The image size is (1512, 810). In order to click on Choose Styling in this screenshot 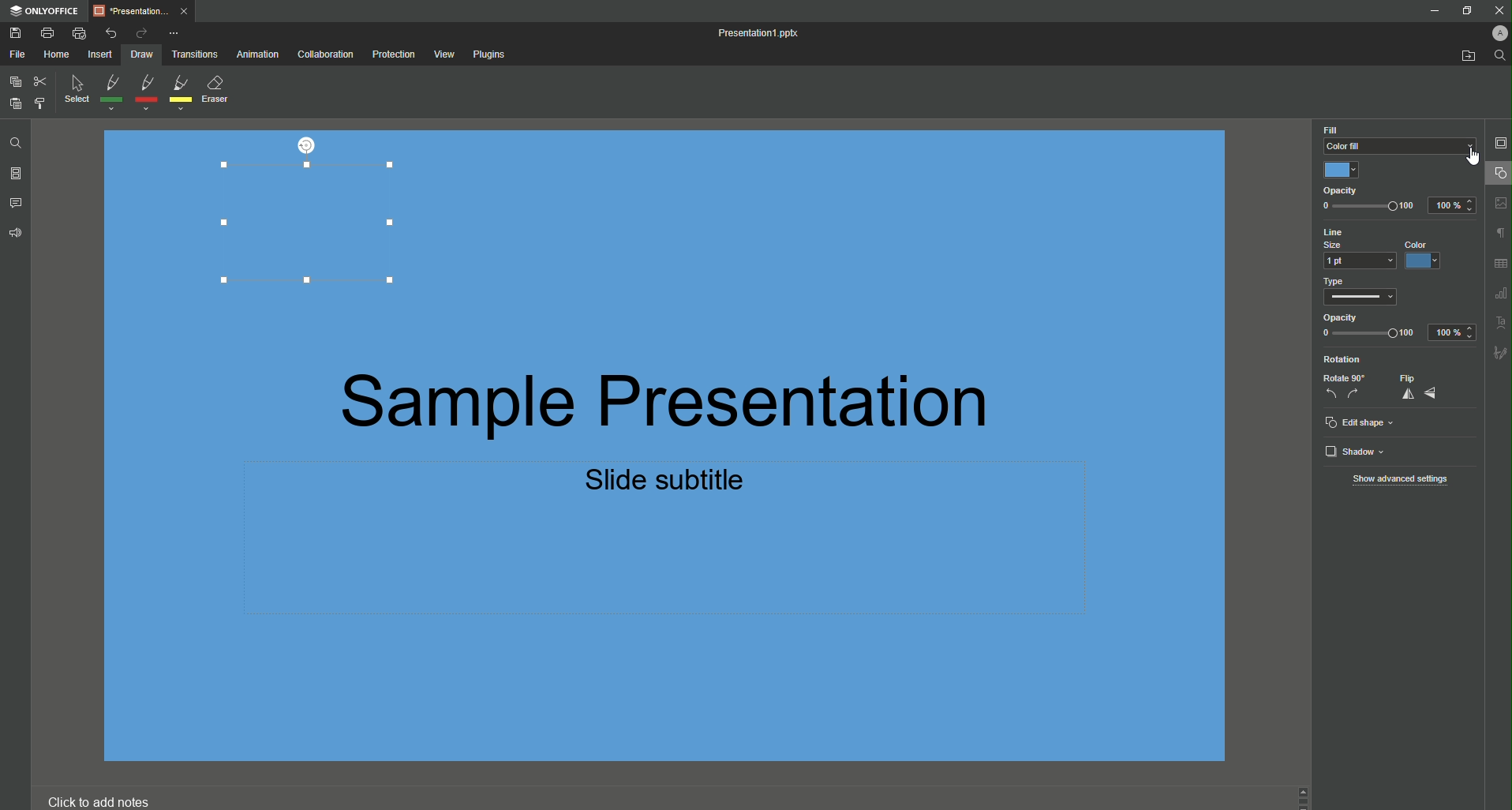, I will do `click(39, 103)`.